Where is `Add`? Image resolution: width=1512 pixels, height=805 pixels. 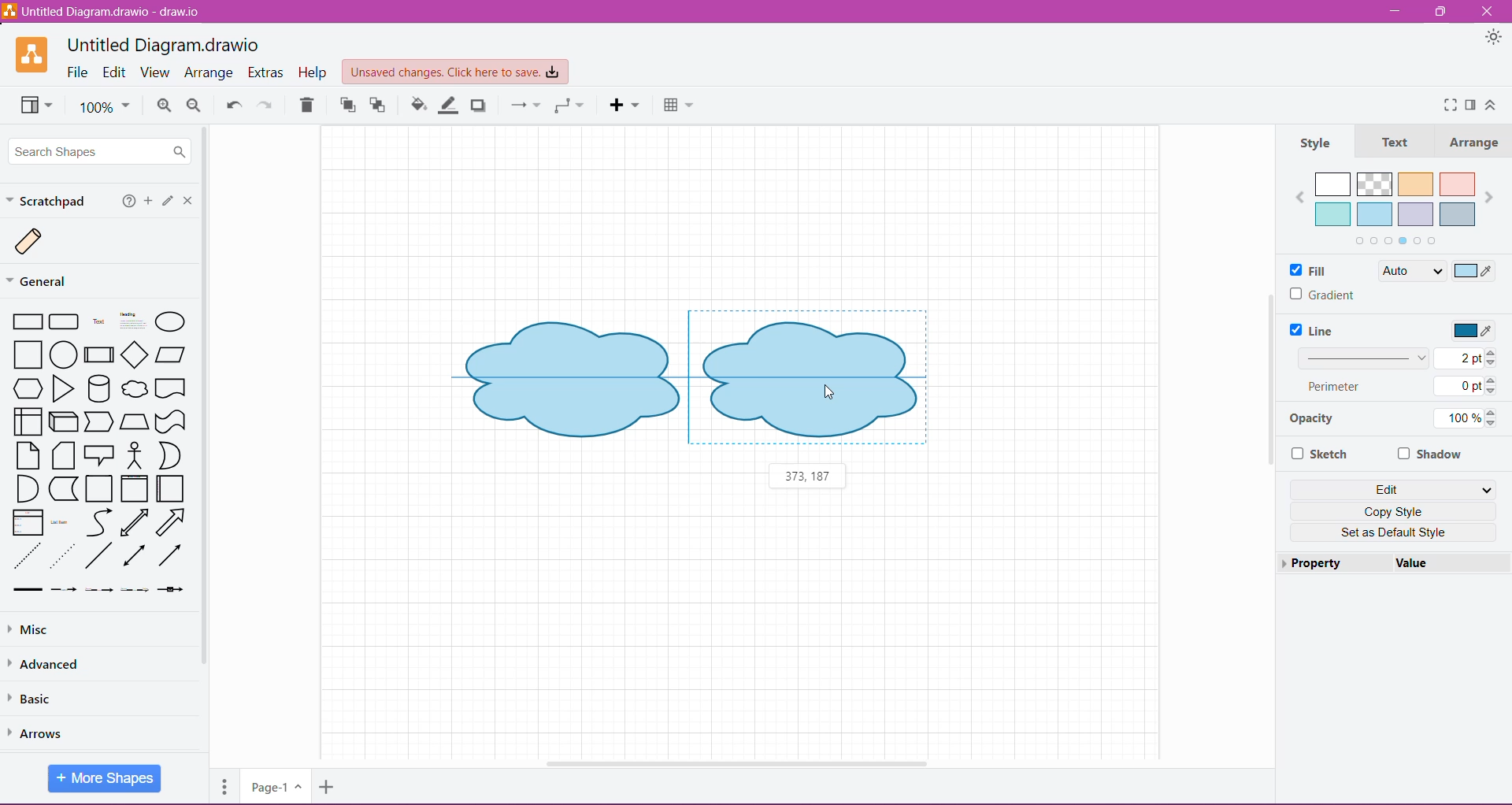 Add is located at coordinates (149, 201).